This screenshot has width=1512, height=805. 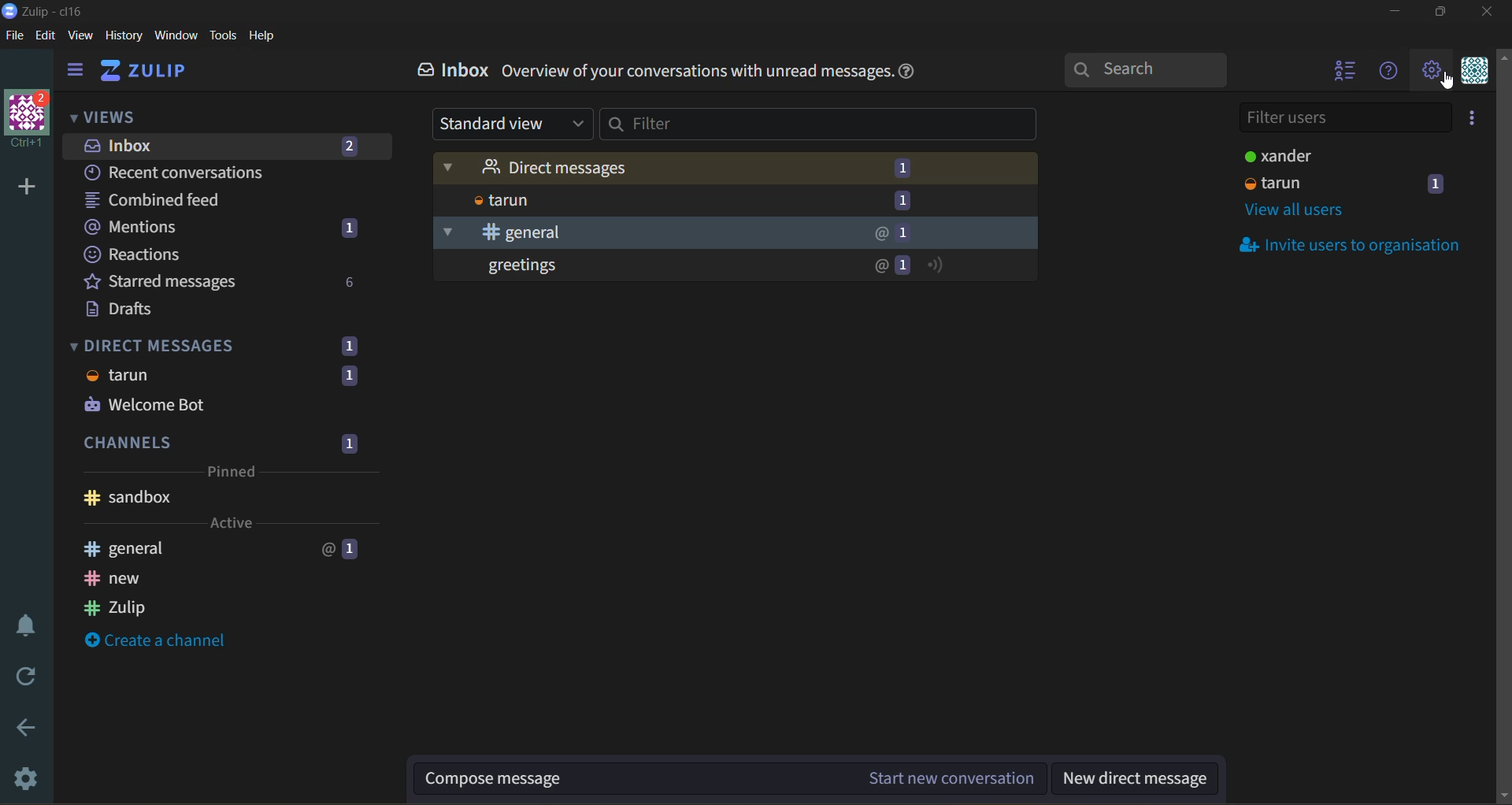 I want to click on sandbox, so click(x=129, y=498).